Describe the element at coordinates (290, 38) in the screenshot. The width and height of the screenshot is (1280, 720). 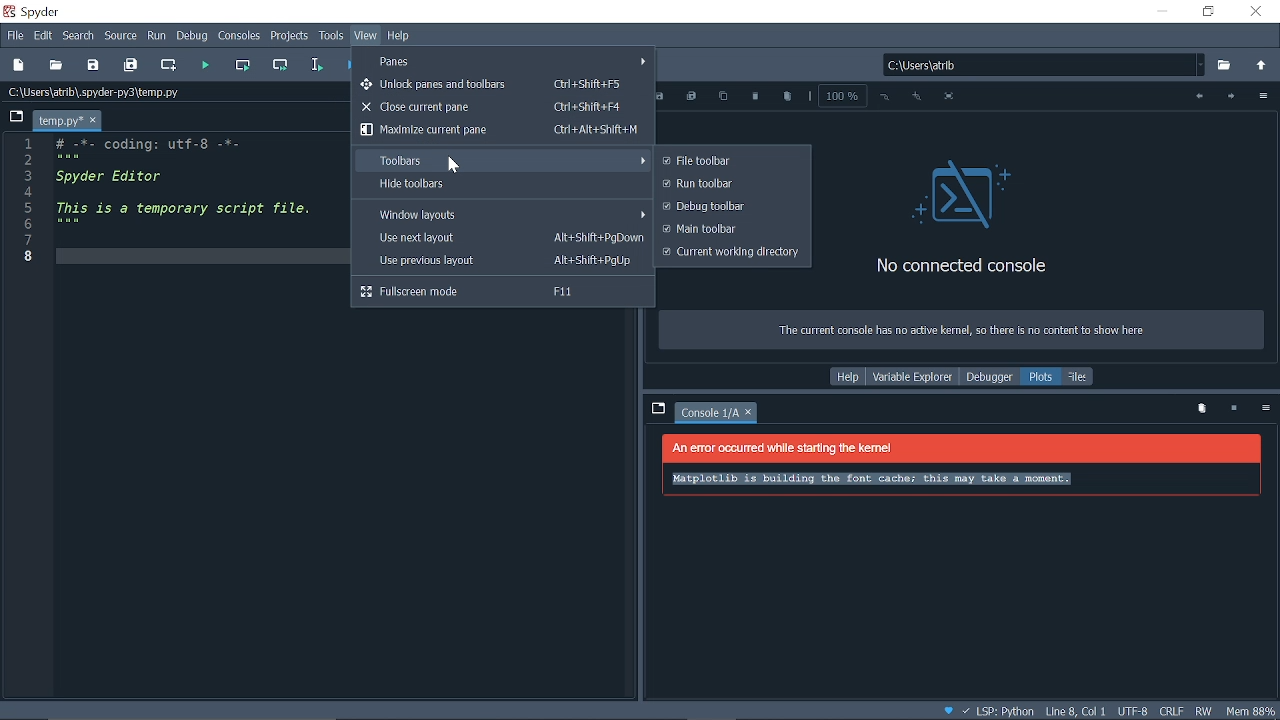
I see `Projects` at that location.